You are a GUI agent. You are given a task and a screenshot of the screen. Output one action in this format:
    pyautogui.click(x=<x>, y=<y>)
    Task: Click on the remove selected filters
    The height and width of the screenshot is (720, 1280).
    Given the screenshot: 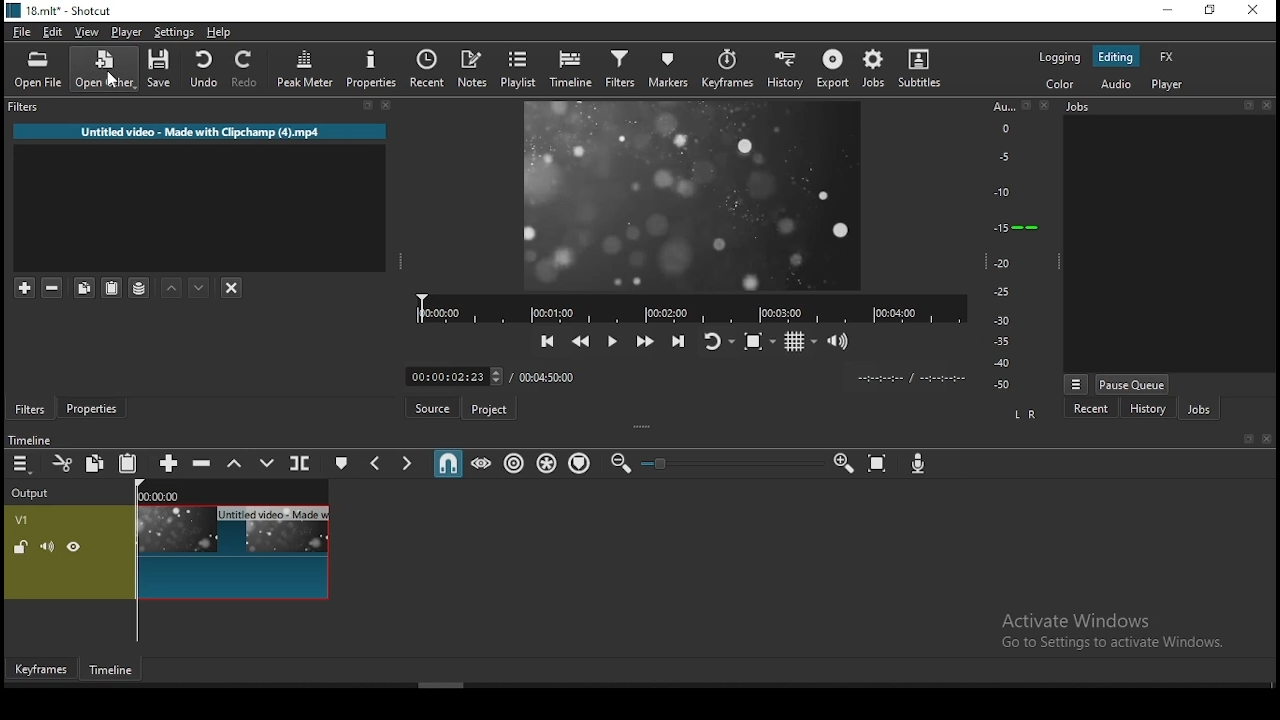 What is the action you would take?
    pyautogui.click(x=54, y=288)
    